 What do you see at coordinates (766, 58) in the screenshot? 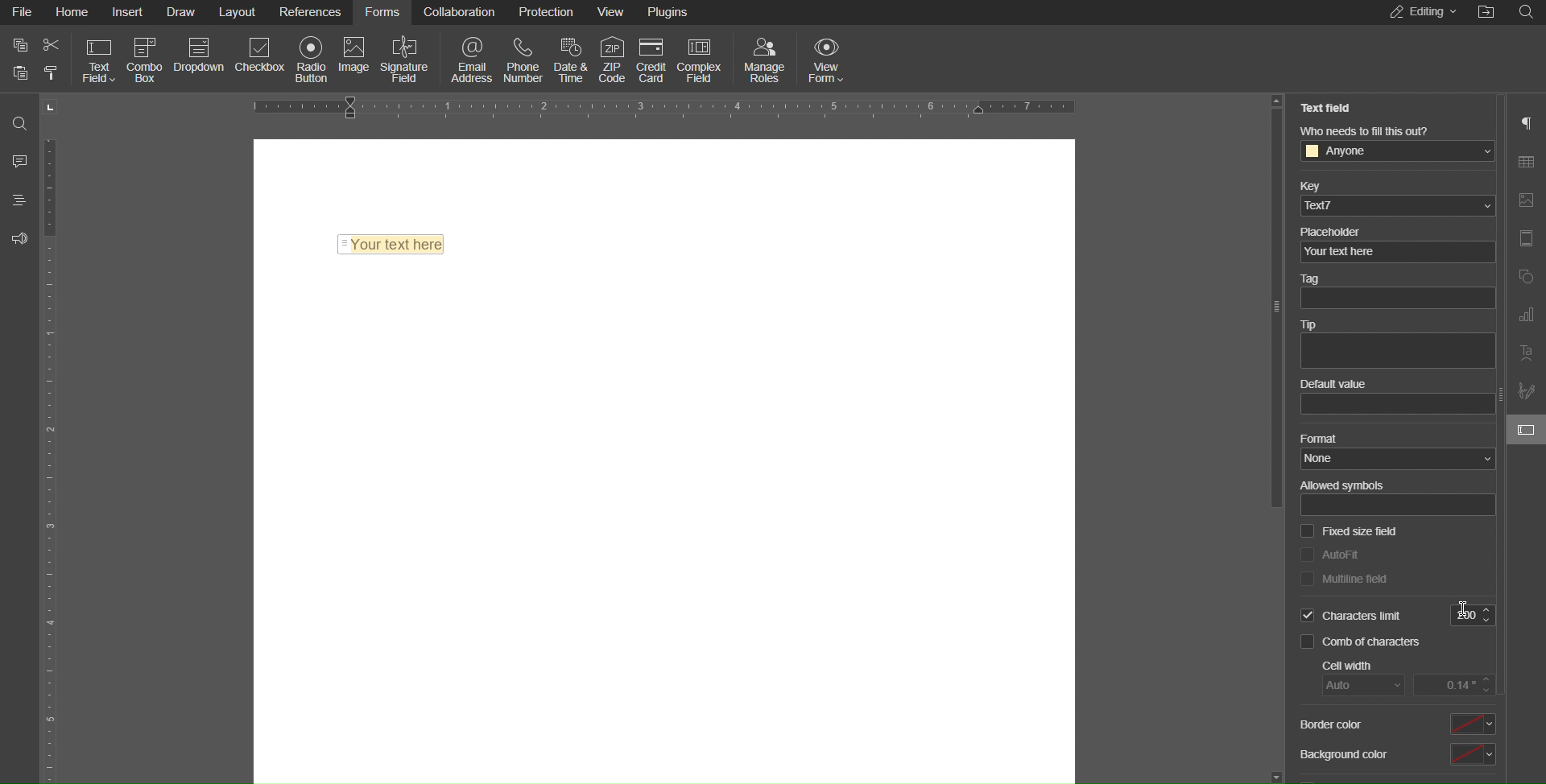
I see `Manage Rules` at bounding box center [766, 58].